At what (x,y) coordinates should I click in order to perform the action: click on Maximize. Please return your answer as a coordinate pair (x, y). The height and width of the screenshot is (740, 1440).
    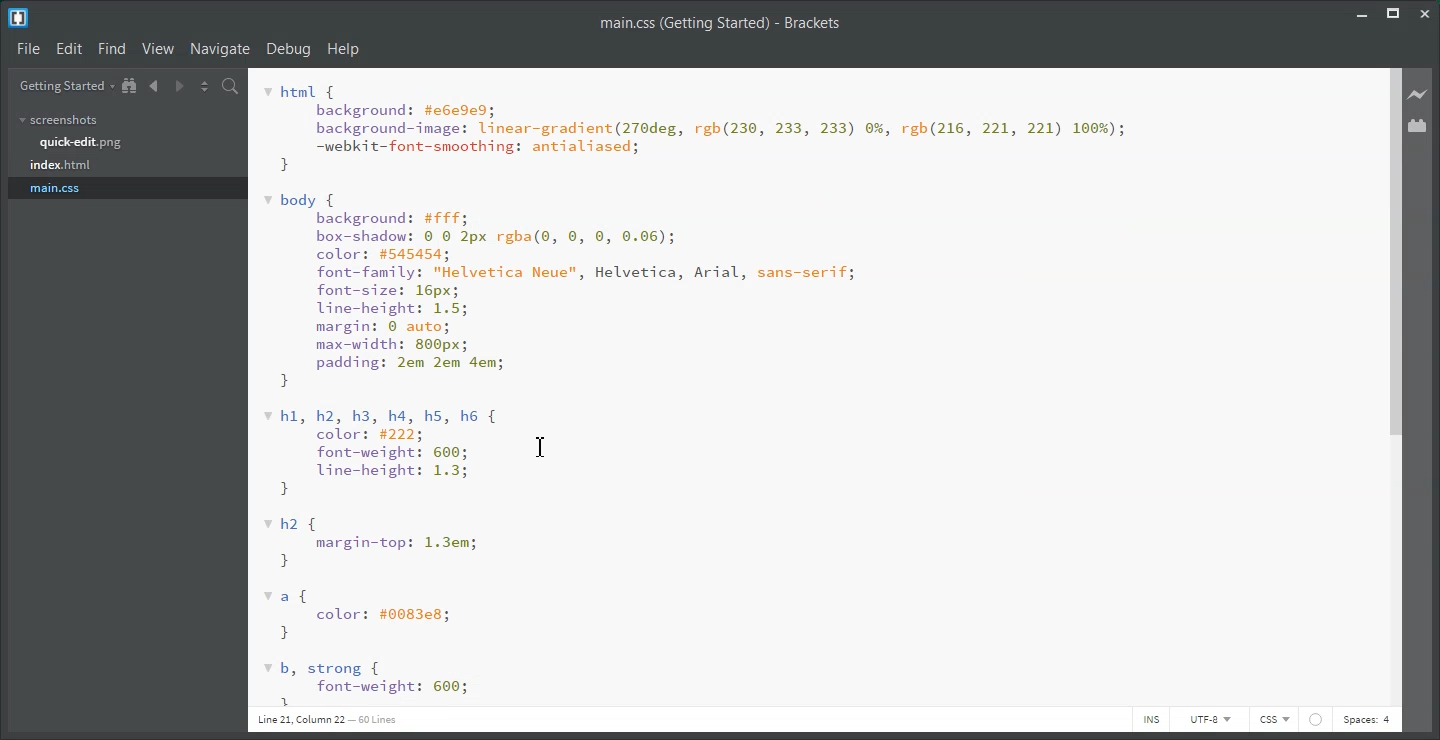
    Looking at the image, I should click on (1396, 14).